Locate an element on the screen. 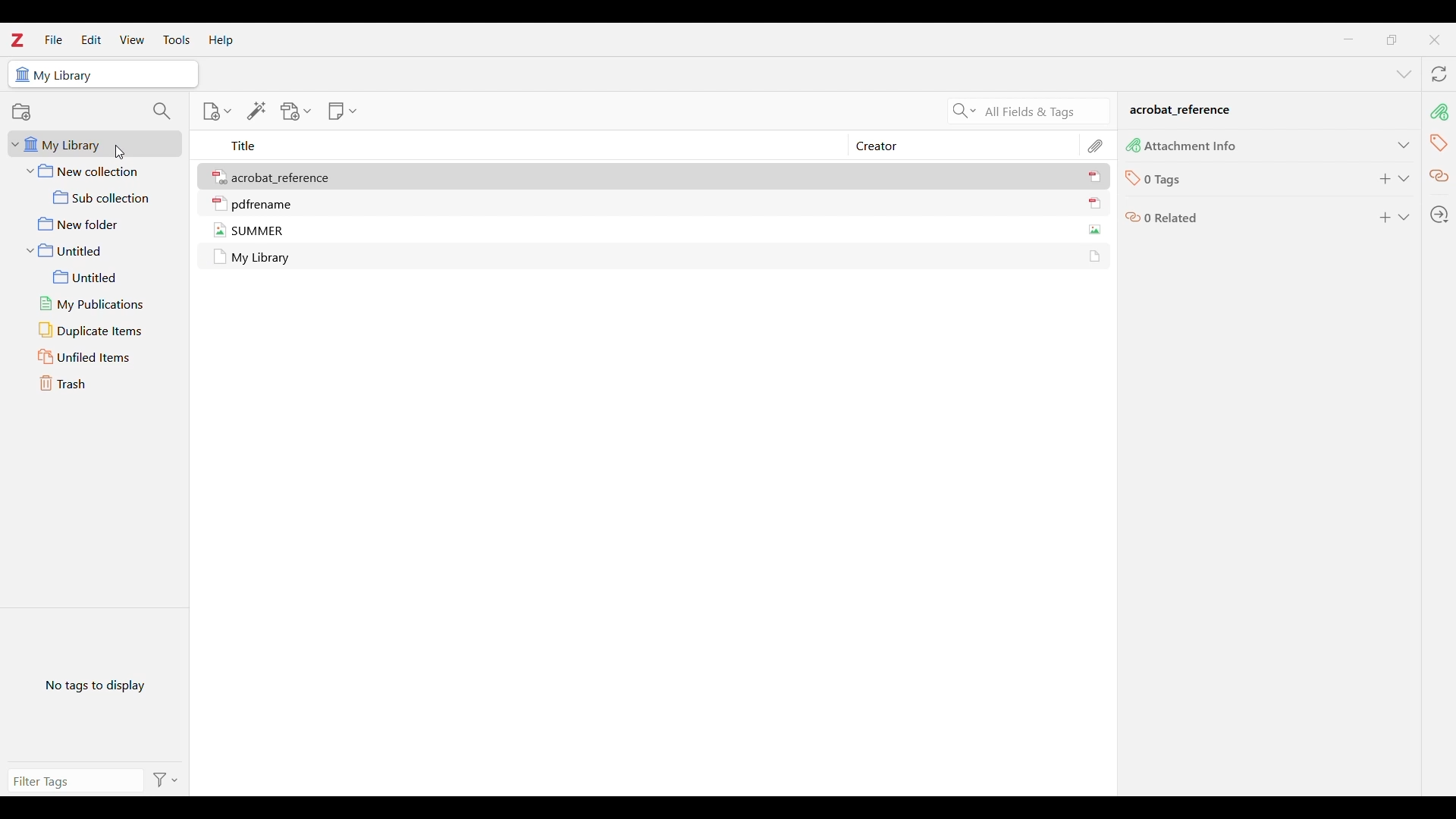  My Library is located at coordinates (66, 76).